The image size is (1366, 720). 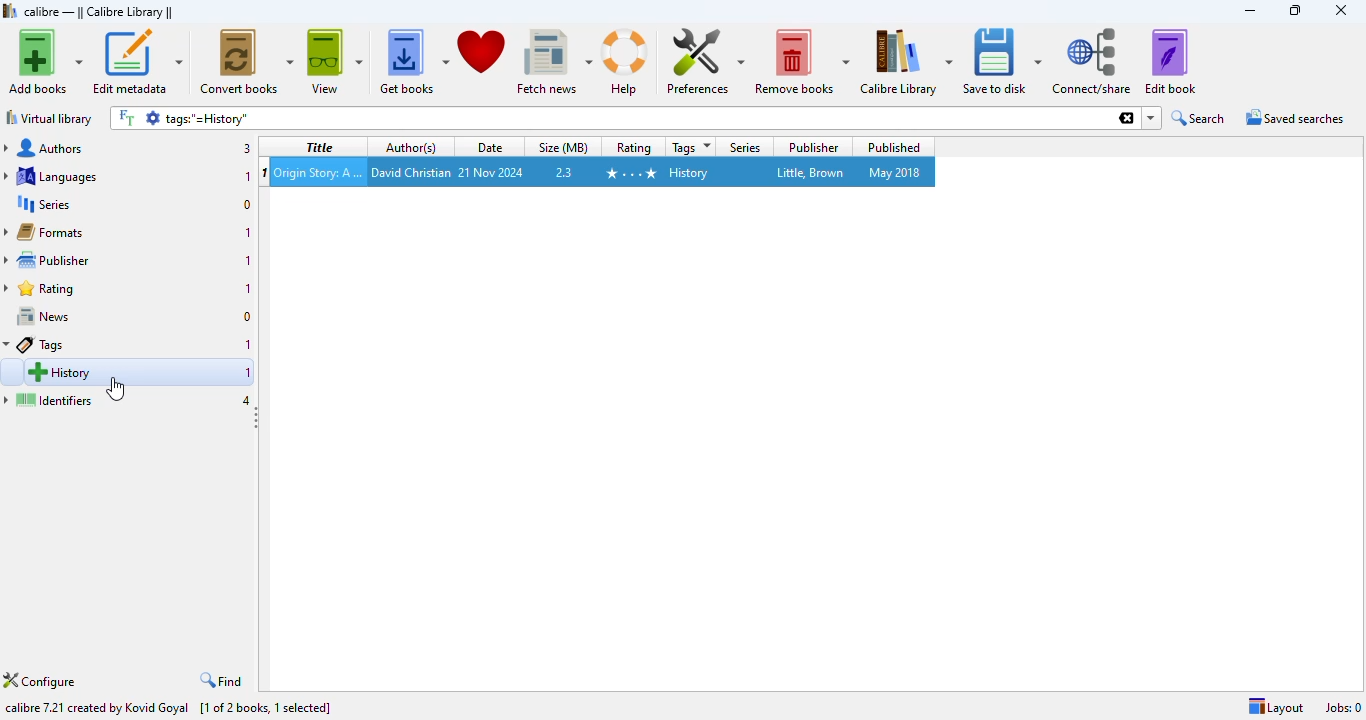 What do you see at coordinates (249, 375) in the screenshot?
I see `1` at bounding box center [249, 375].